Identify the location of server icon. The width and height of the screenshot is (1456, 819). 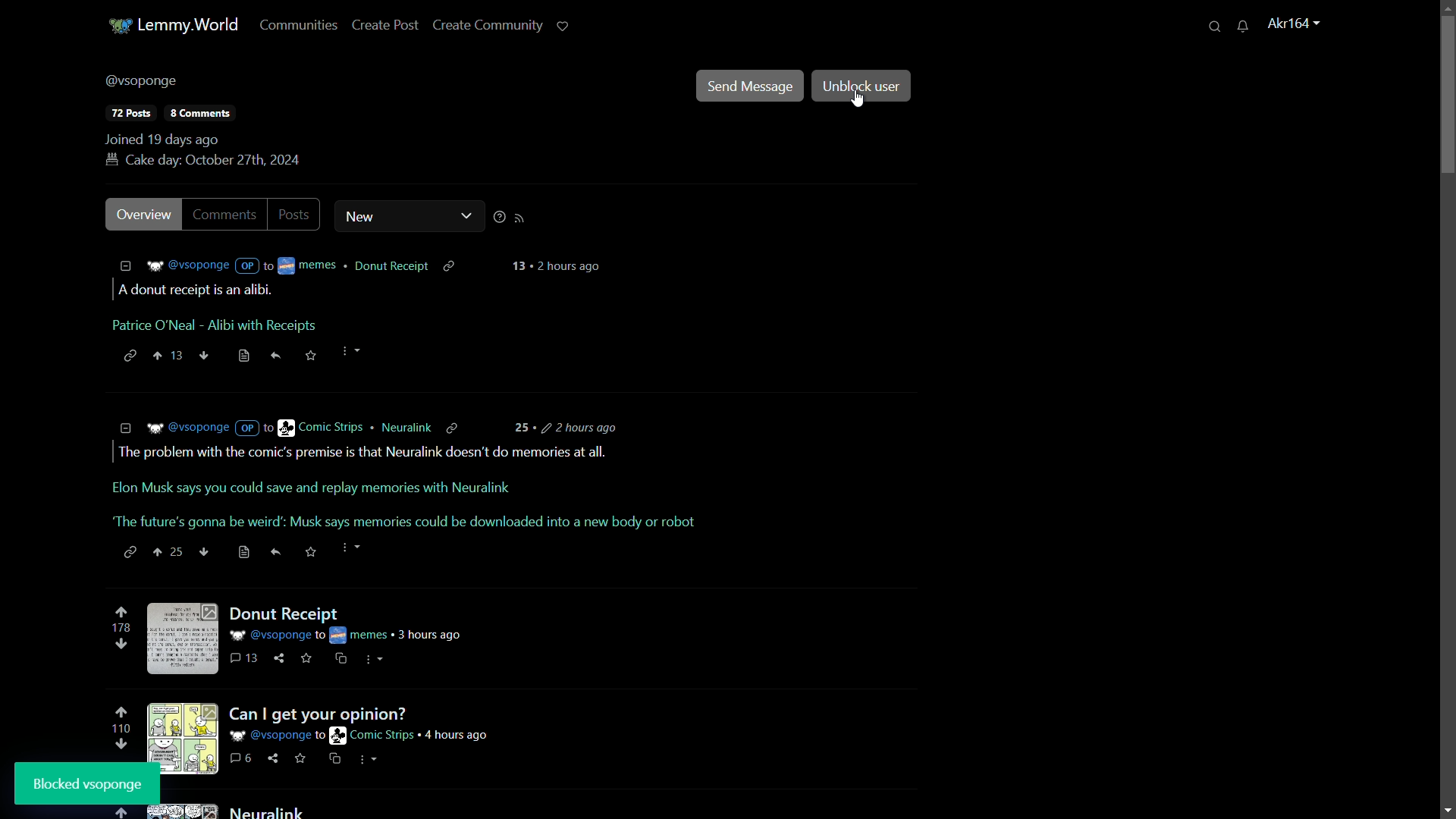
(118, 27).